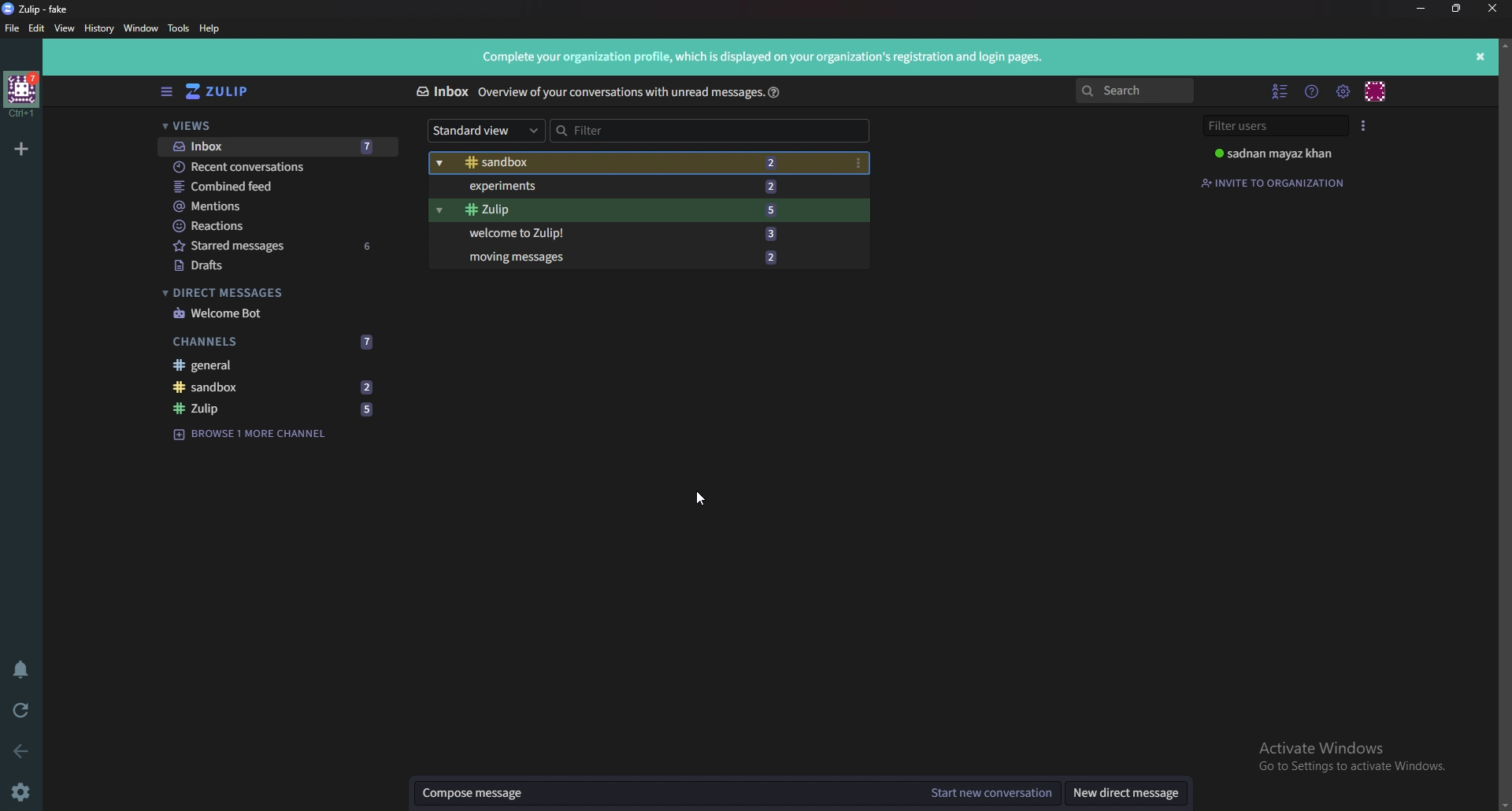 The image size is (1512, 811). Describe the element at coordinates (272, 187) in the screenshot. I see `Combined feed` at that location.